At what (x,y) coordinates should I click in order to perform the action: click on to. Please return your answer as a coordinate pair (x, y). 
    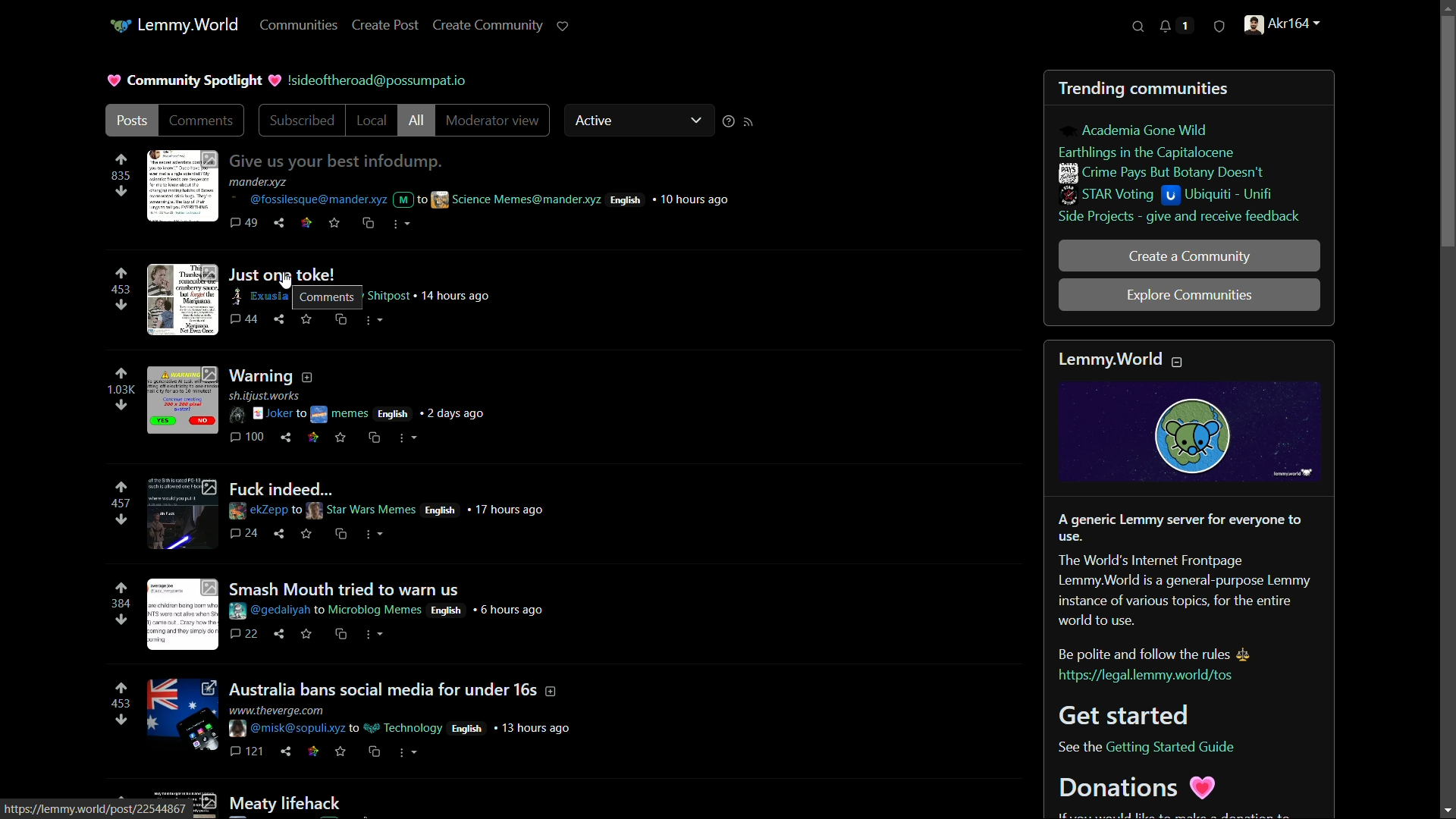
    Looking at the image, I should click on (317, 612).